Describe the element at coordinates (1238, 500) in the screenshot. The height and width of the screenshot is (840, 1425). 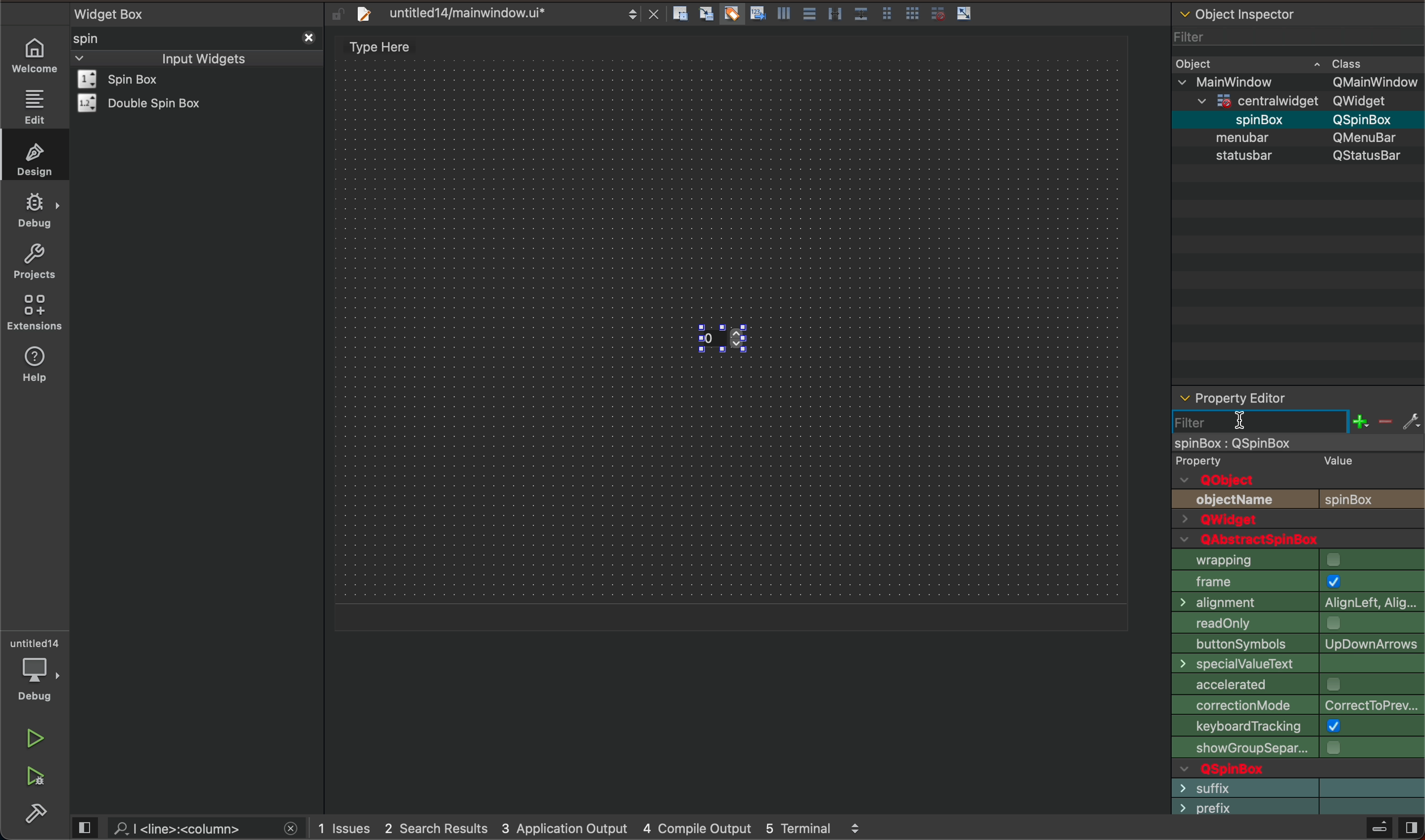
I see `text` at that location.